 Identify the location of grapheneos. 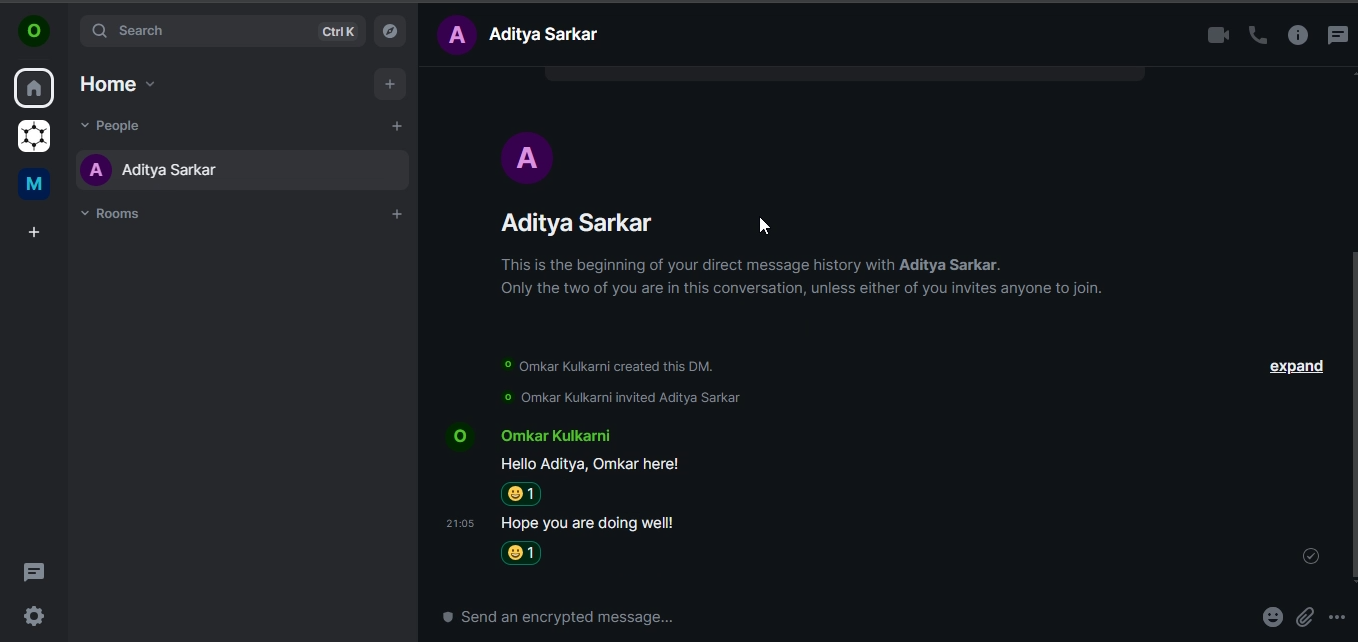
(32, 137).